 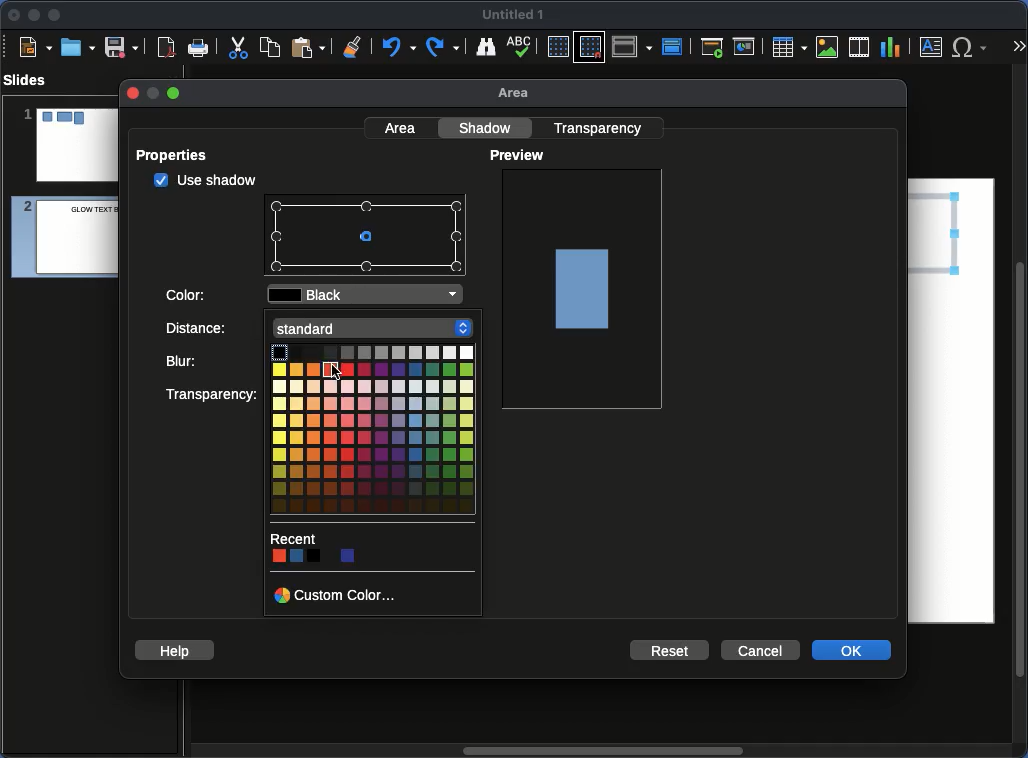 I want to click on minimize, so click(x=151, y=93).